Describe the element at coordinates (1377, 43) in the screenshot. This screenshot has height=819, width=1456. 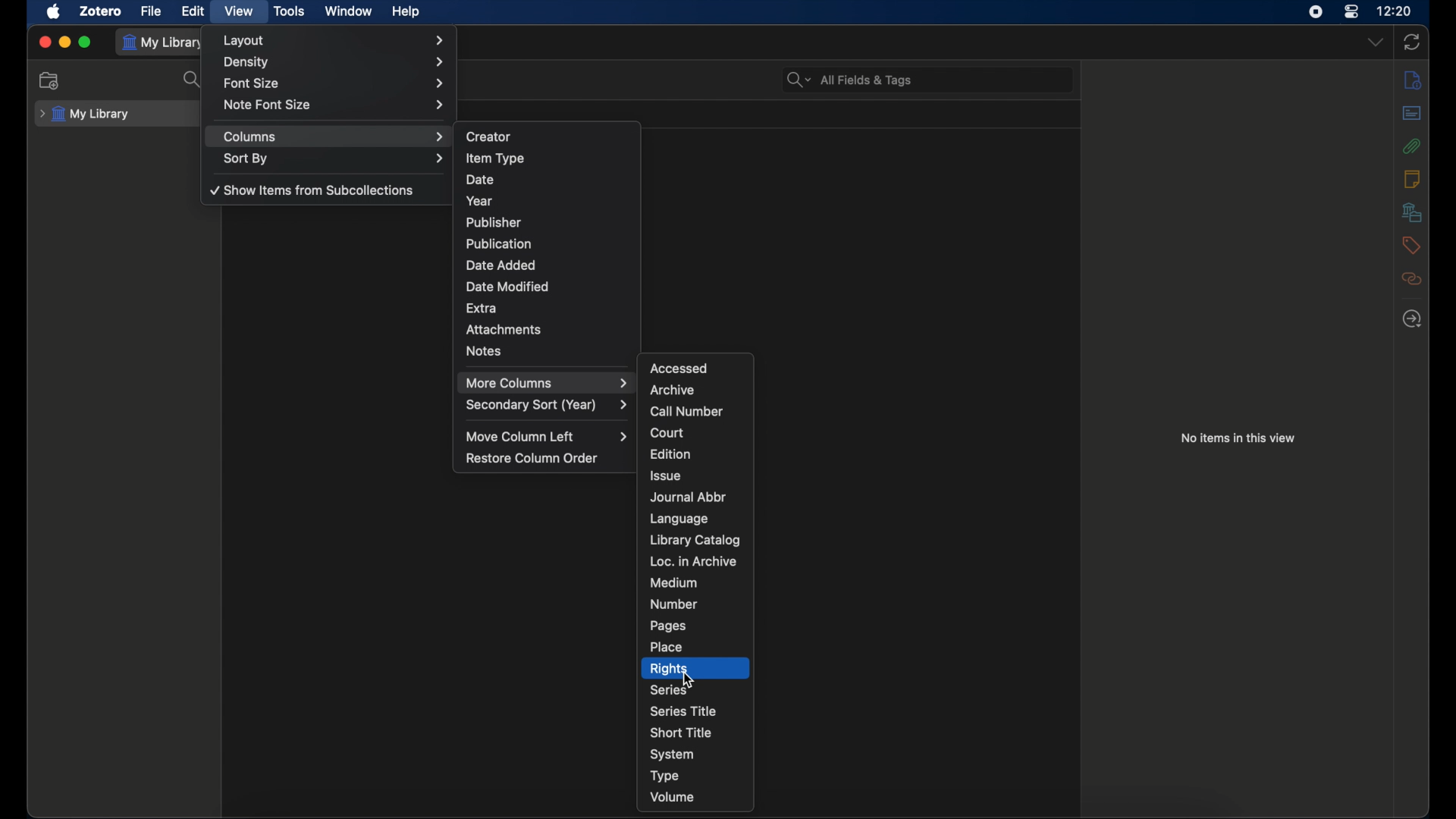
I see `dropdown` at that location.